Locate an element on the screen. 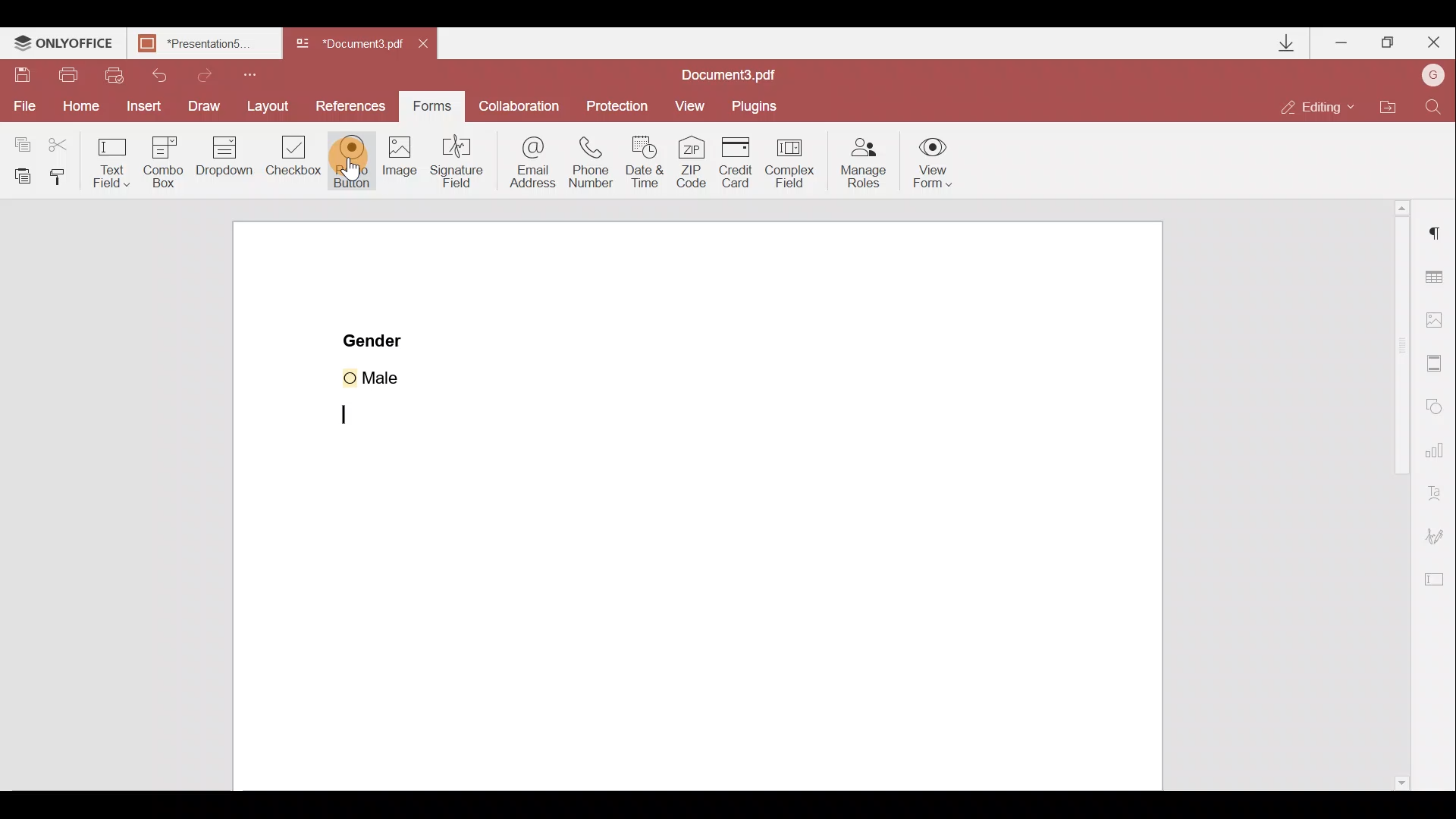  Forms is located at coordinates (436, 106).